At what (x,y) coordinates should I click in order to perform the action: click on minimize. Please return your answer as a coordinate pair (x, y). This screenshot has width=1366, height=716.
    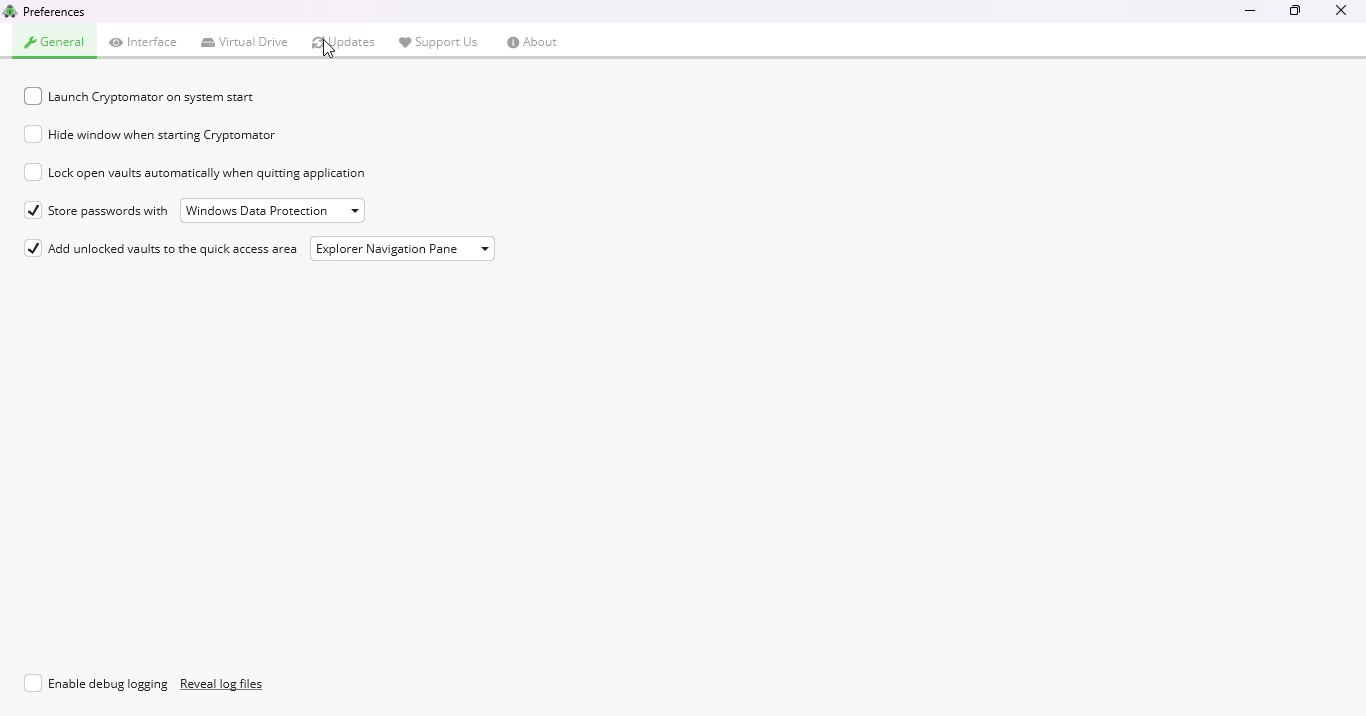
    Looking at the image, I should click on (1251, 12).